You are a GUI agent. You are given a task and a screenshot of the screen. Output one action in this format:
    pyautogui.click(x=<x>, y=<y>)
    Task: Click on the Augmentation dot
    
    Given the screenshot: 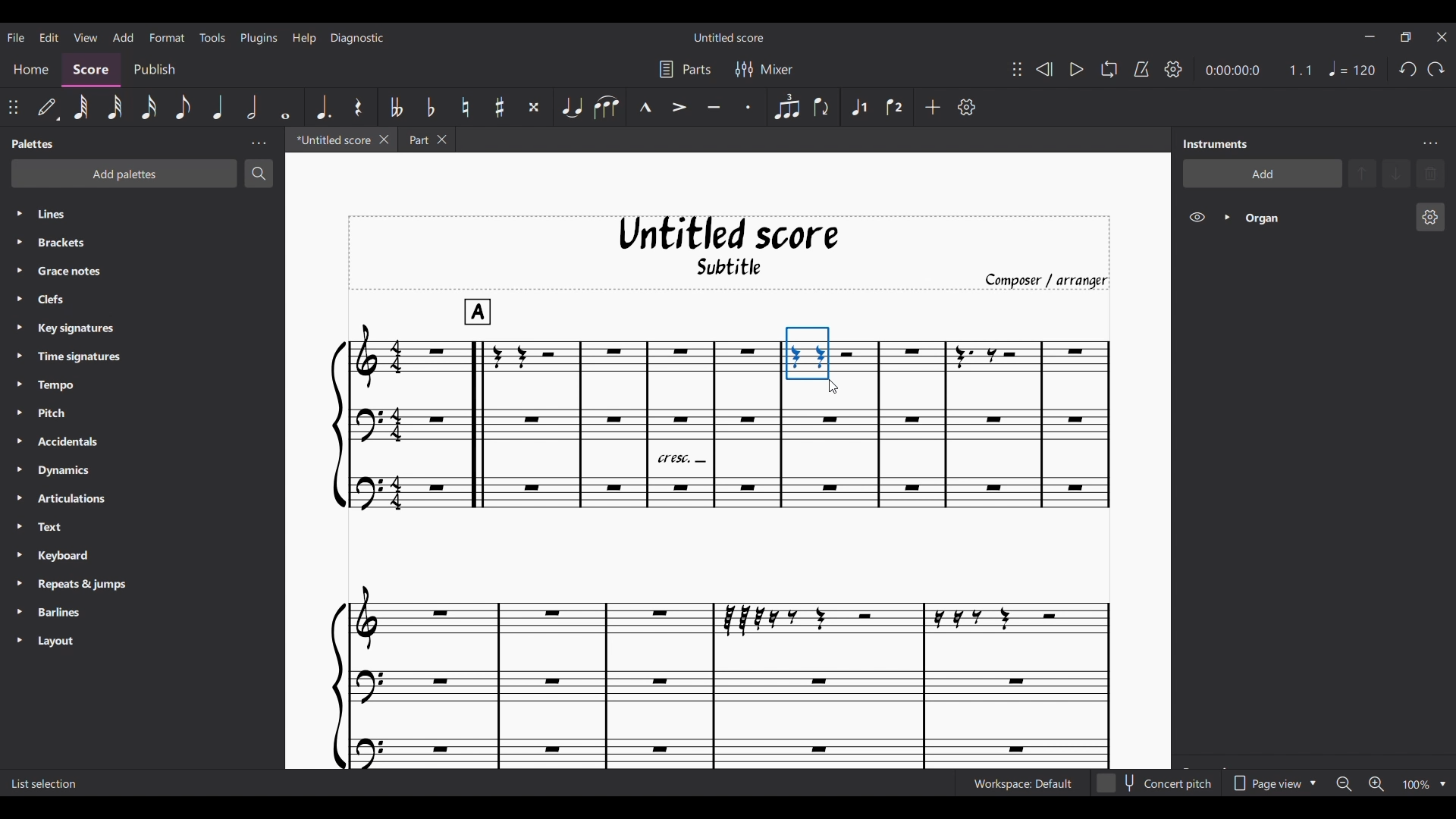 What is the action you would take?
    pyautogui.click(x=323, y=106)
    